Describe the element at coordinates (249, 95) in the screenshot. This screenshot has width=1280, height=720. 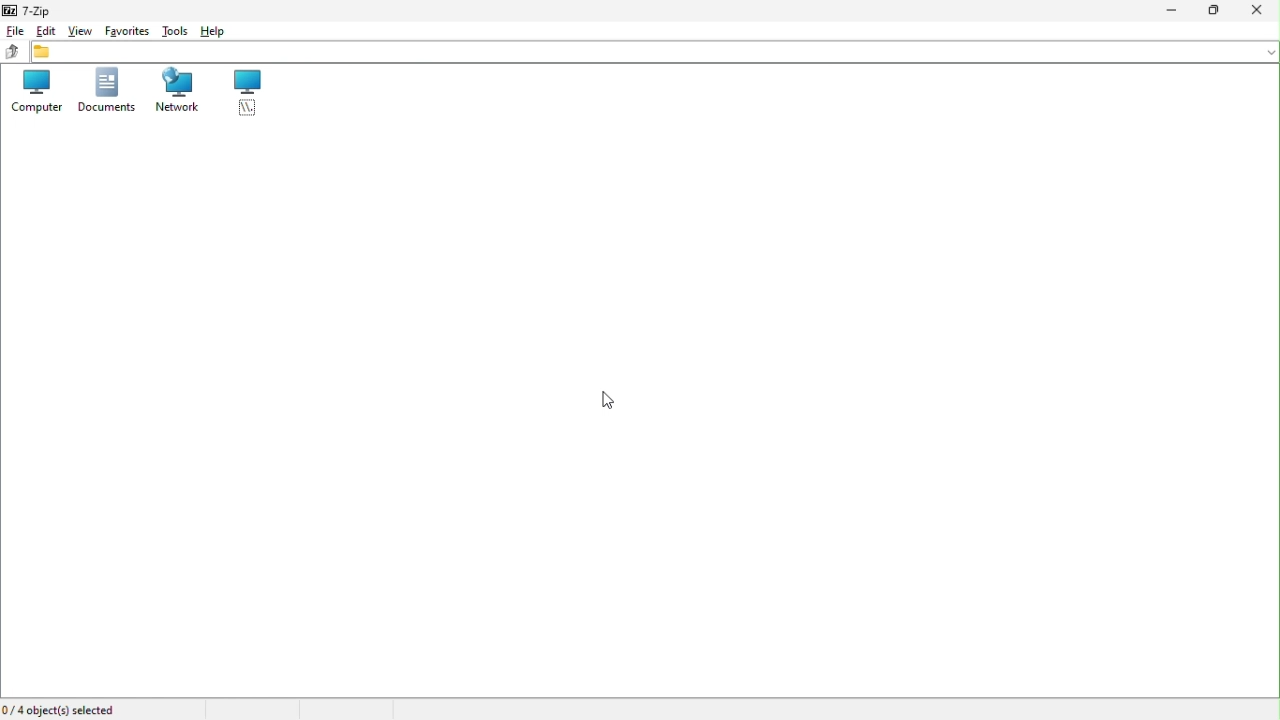
I see `Root` at that location.